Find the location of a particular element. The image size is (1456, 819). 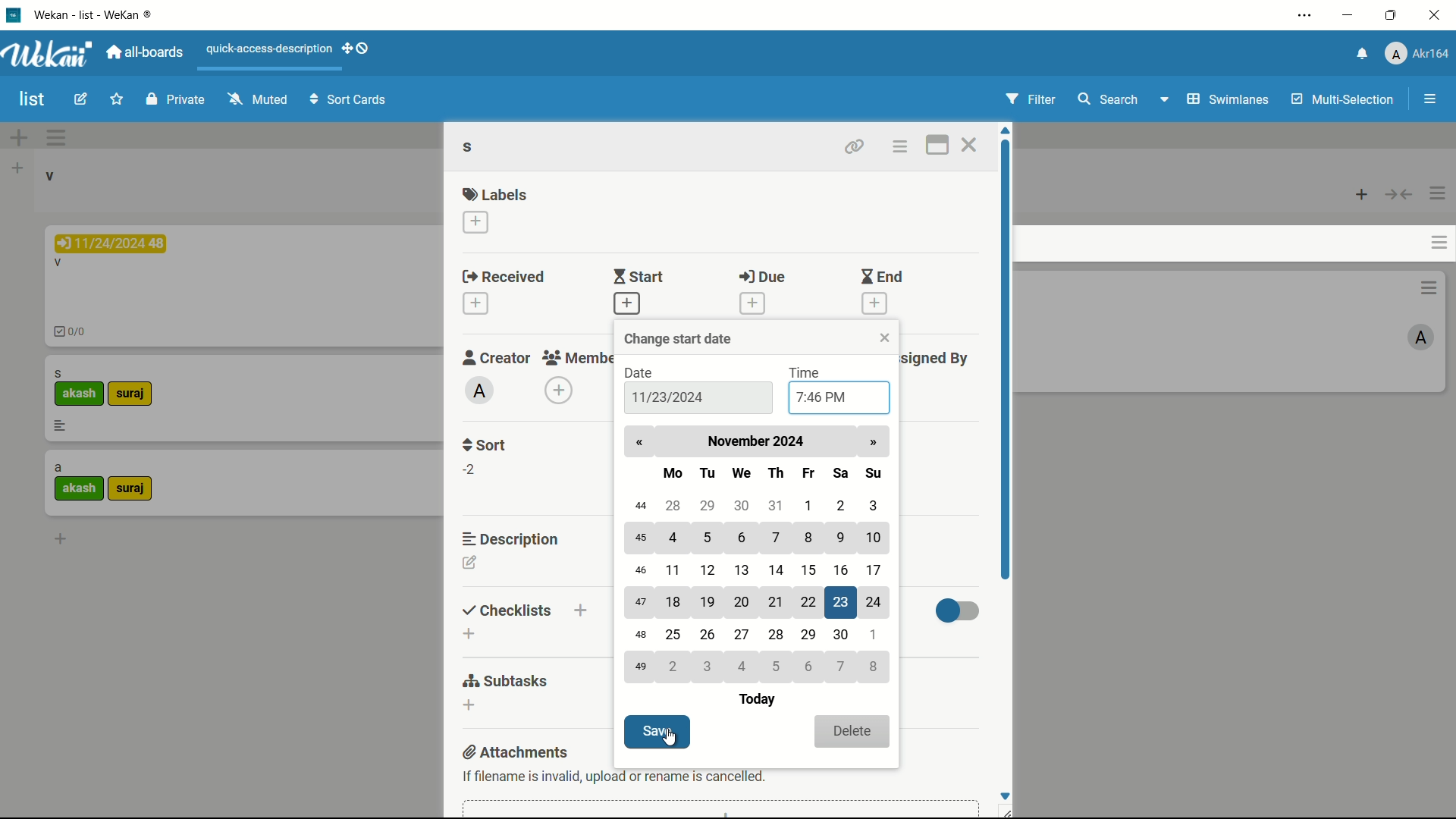

muted is located at coordinates (260, 98).